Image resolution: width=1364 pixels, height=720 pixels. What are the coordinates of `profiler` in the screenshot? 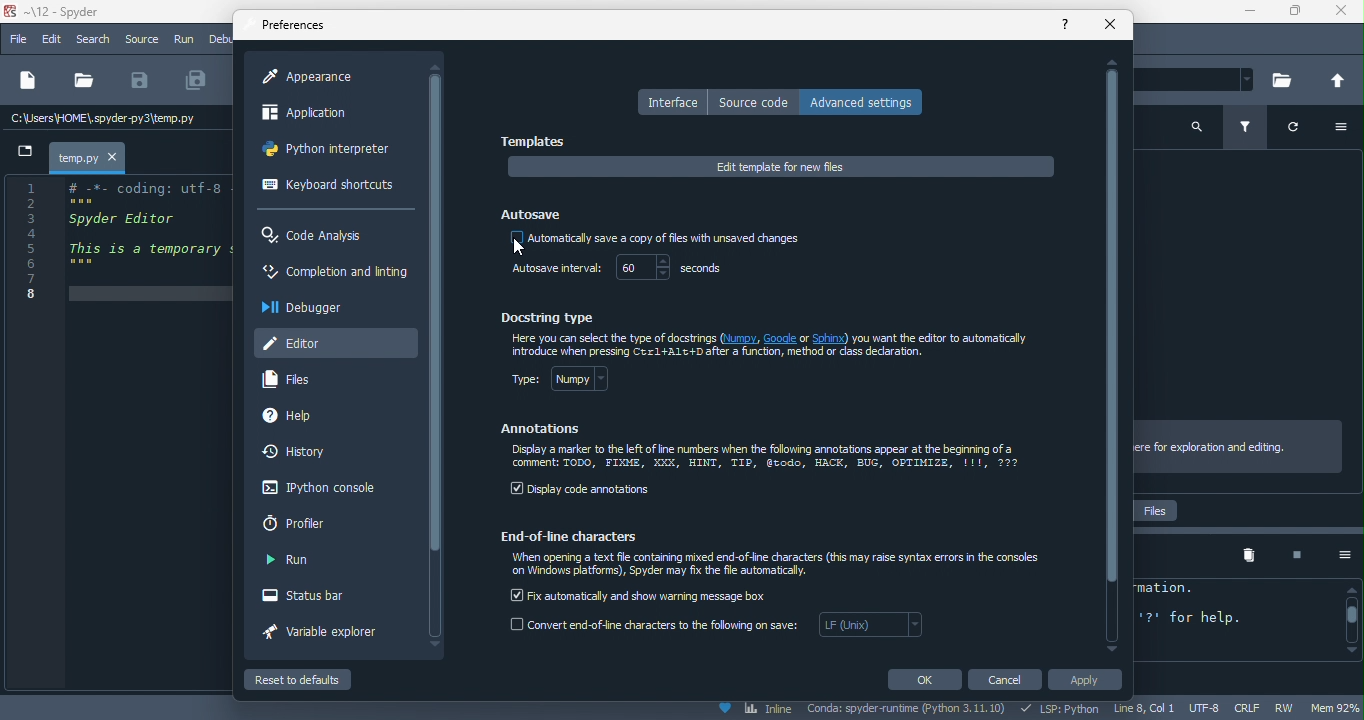 It's located at (304, 523).